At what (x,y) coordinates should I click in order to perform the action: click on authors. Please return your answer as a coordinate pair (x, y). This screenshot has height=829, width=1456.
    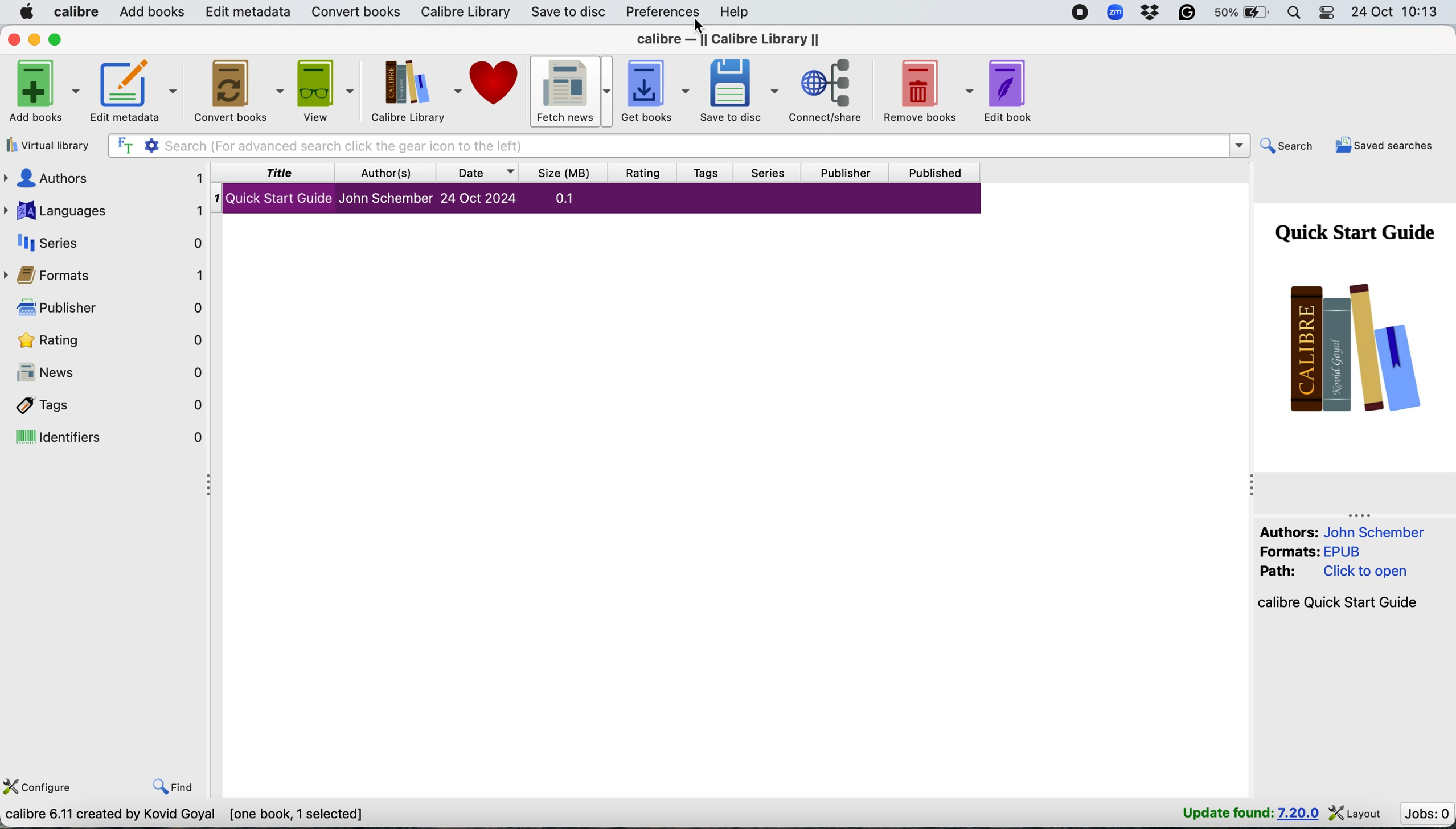
    Looking at the image, I should click on (103, 178).